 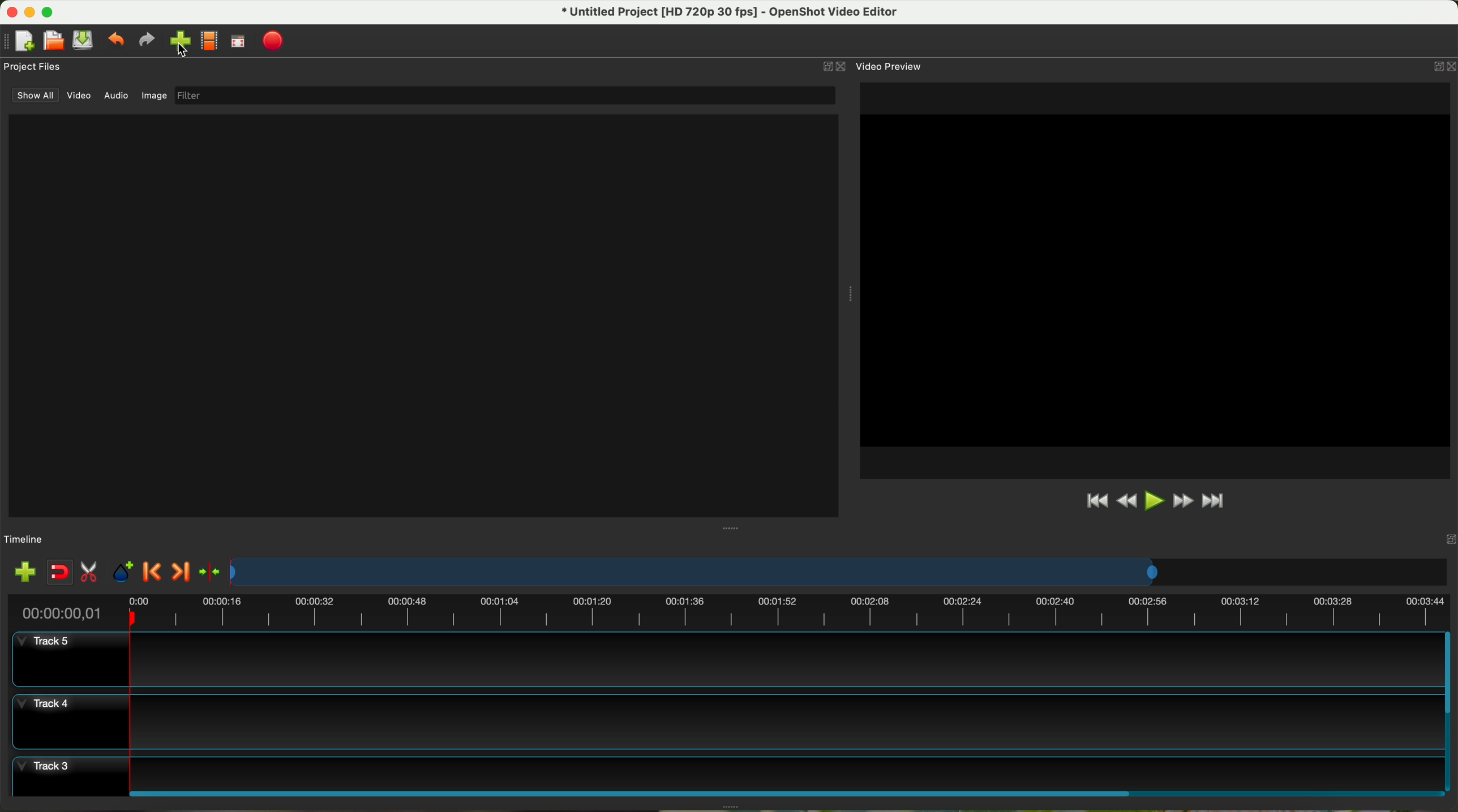 What do you see at coordinates (31, 12) in the screenshot?
I see `minimize program` at bounding box center [31, 12].